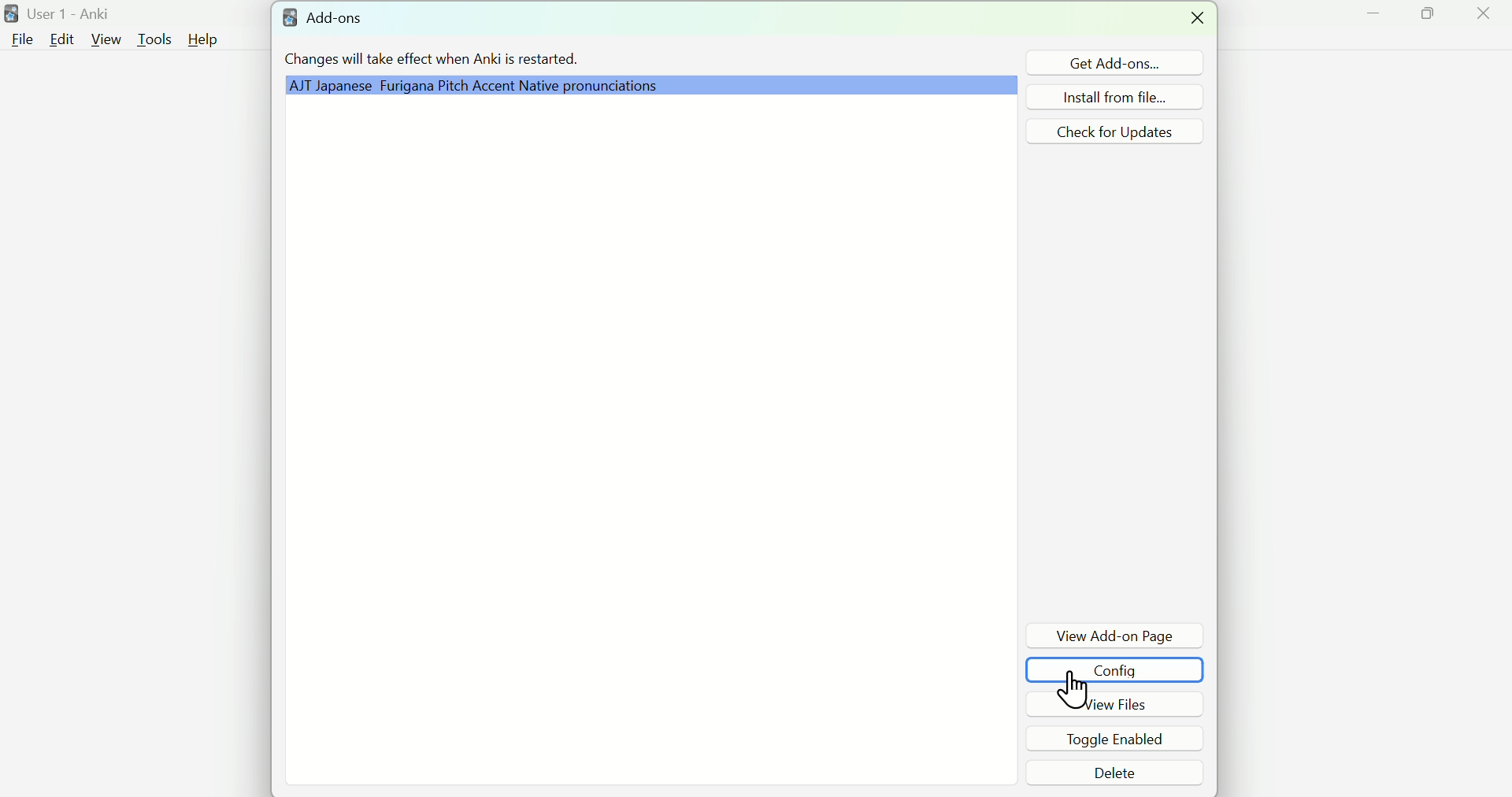  I want to click on Help, so click(207, 40).